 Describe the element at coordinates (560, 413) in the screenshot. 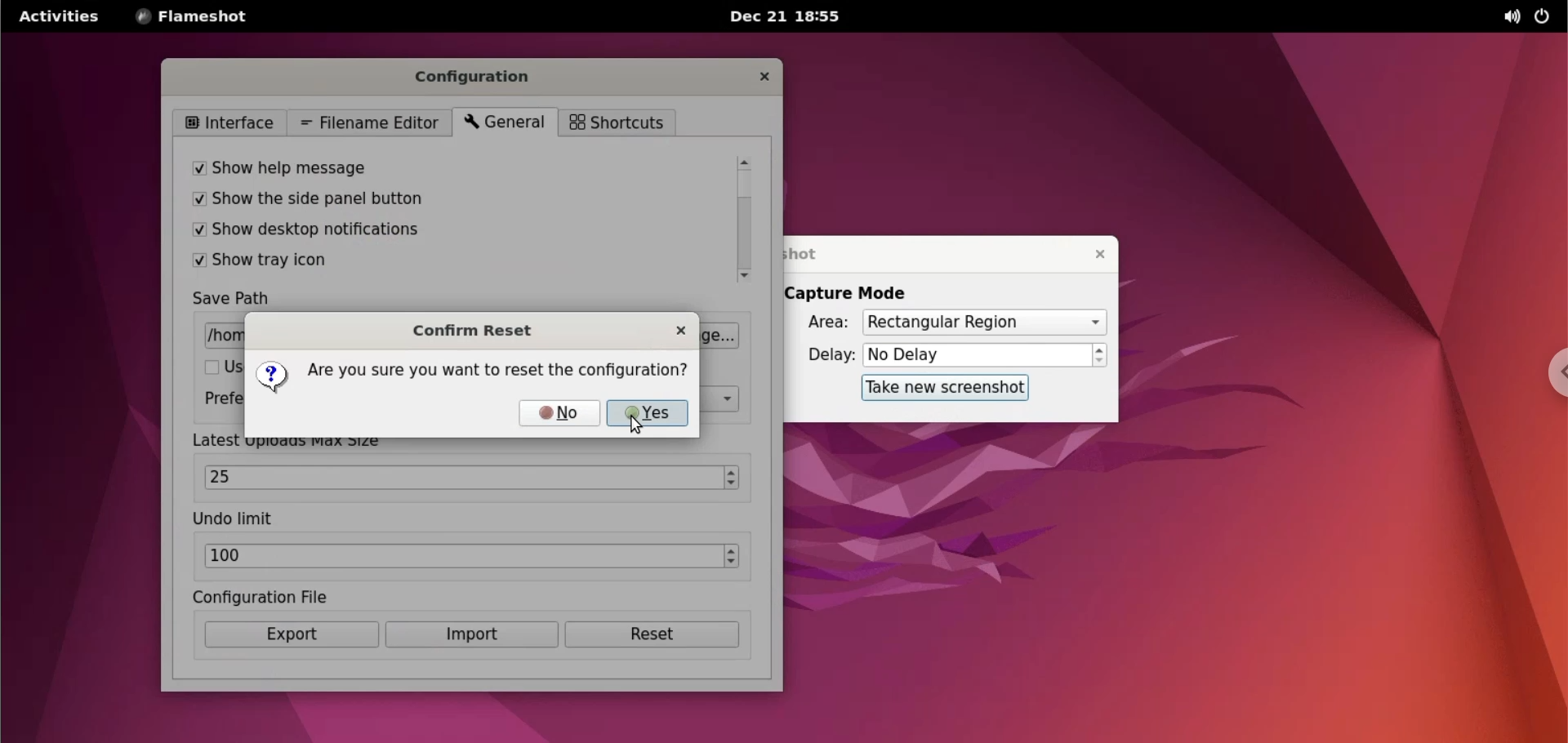

I see `no` at that location.